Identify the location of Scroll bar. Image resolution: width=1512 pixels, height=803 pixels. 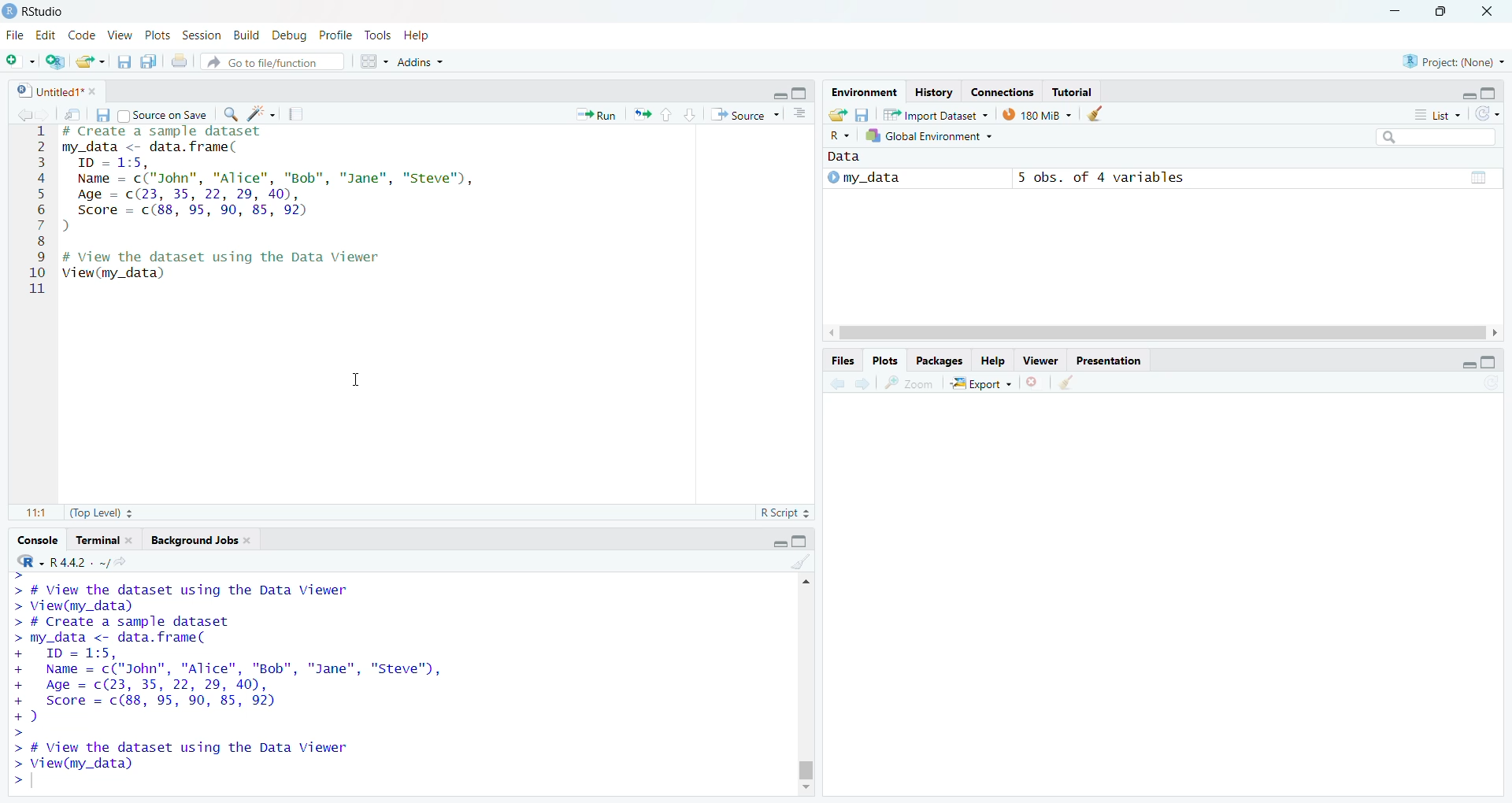
(1165, 333).